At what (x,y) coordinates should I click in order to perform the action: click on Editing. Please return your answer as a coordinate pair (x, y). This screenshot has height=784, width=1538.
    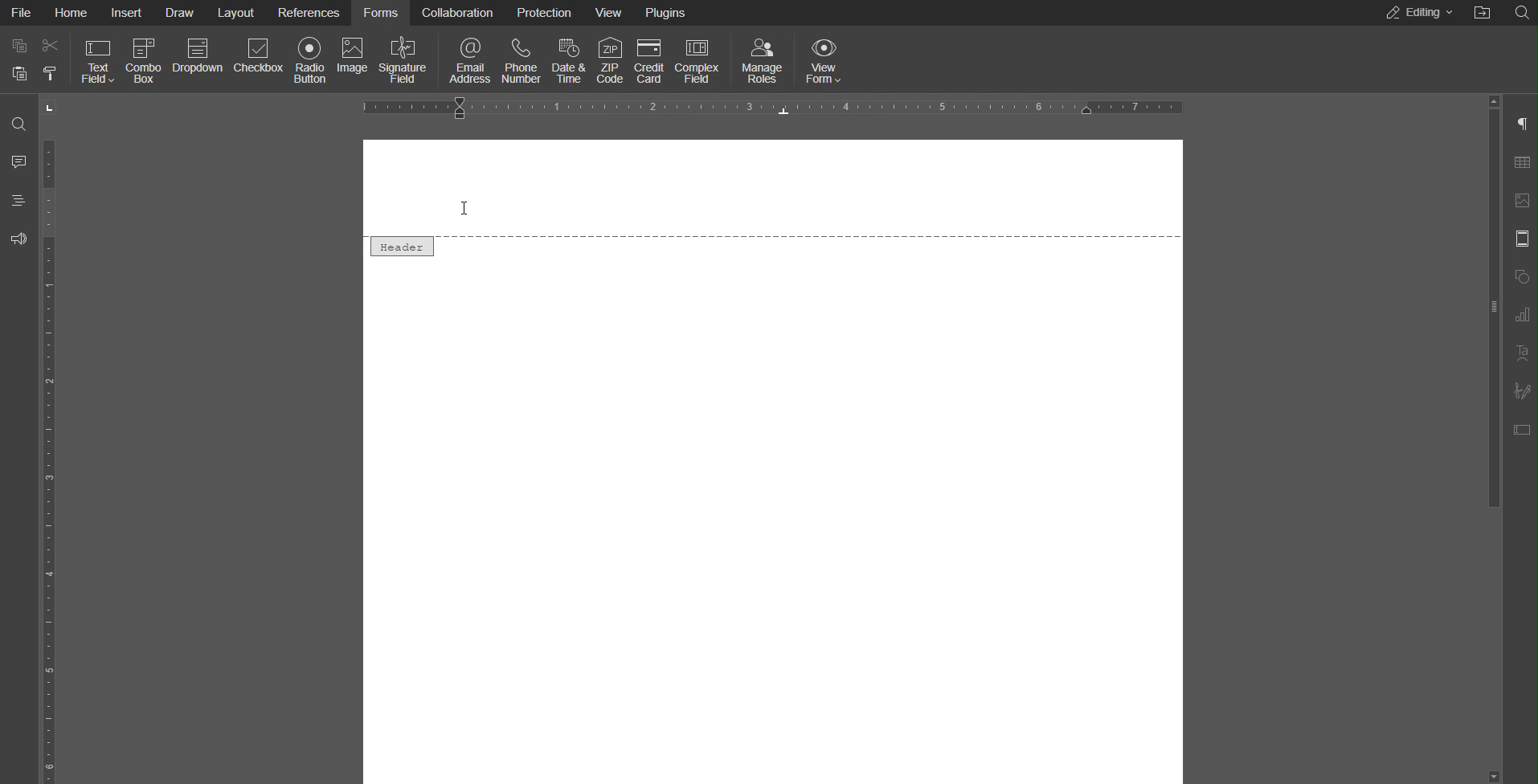
    Looking at the image, I should click on (1416, 14).